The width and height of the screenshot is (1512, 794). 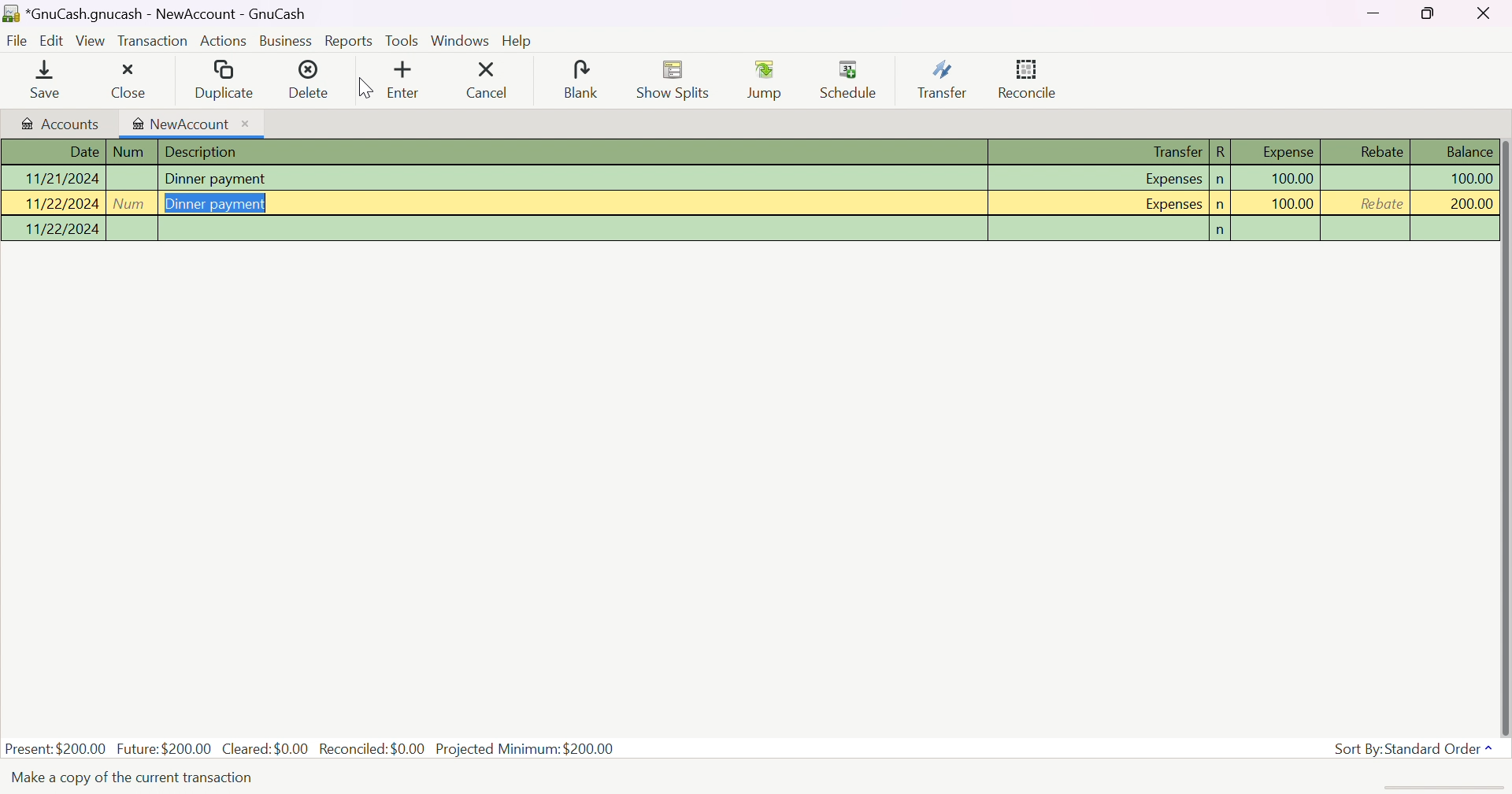 What do you see at coordinates (165, 748) in the screenshot?
I see `Future: $200.00` at bounding box center [165, 748].